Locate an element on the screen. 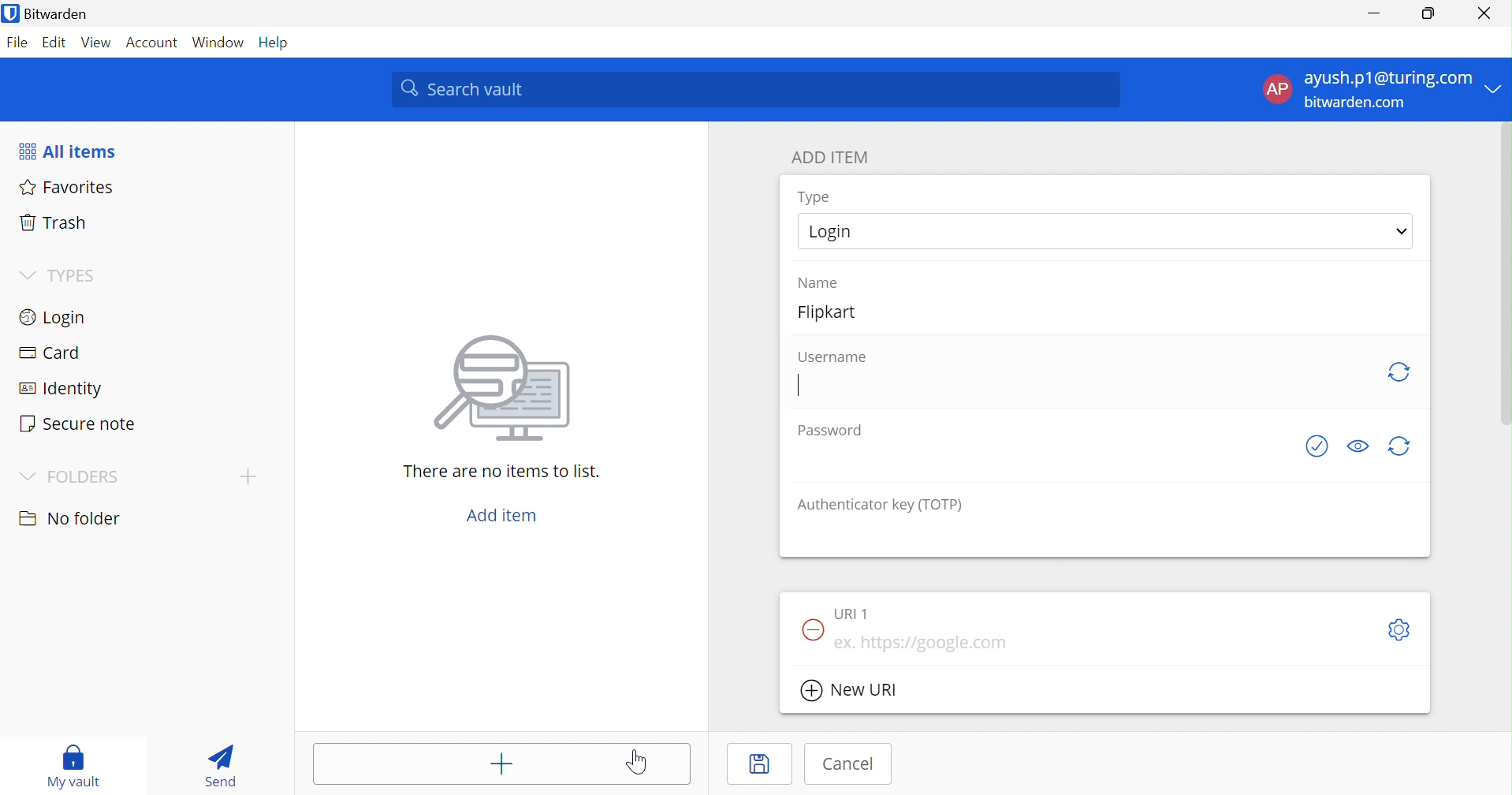 Image resolution: width=1512 pixels, height=795 pixels. Restore Down is located at coordinates (1428, 13).